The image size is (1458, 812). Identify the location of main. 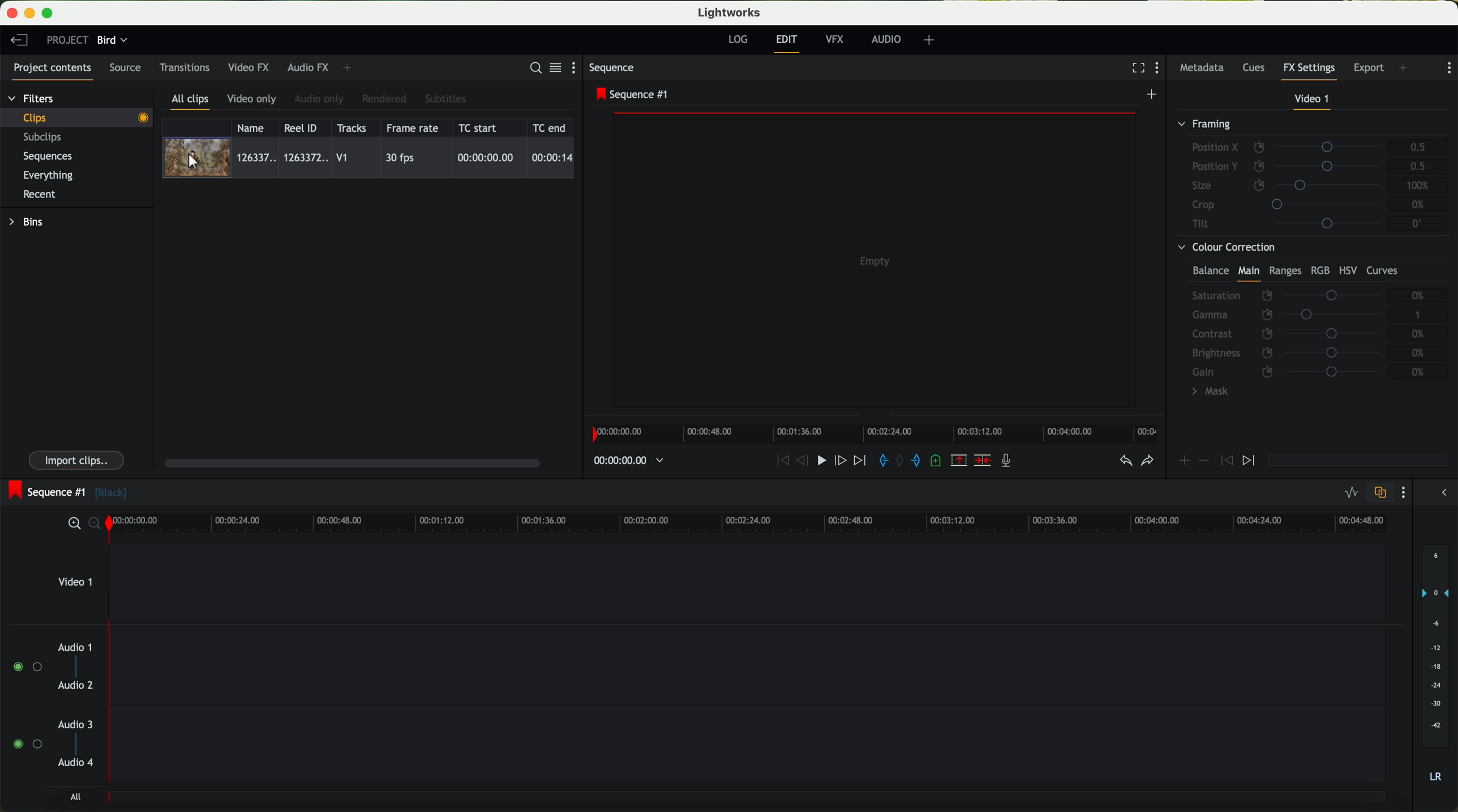
(1249, 273).